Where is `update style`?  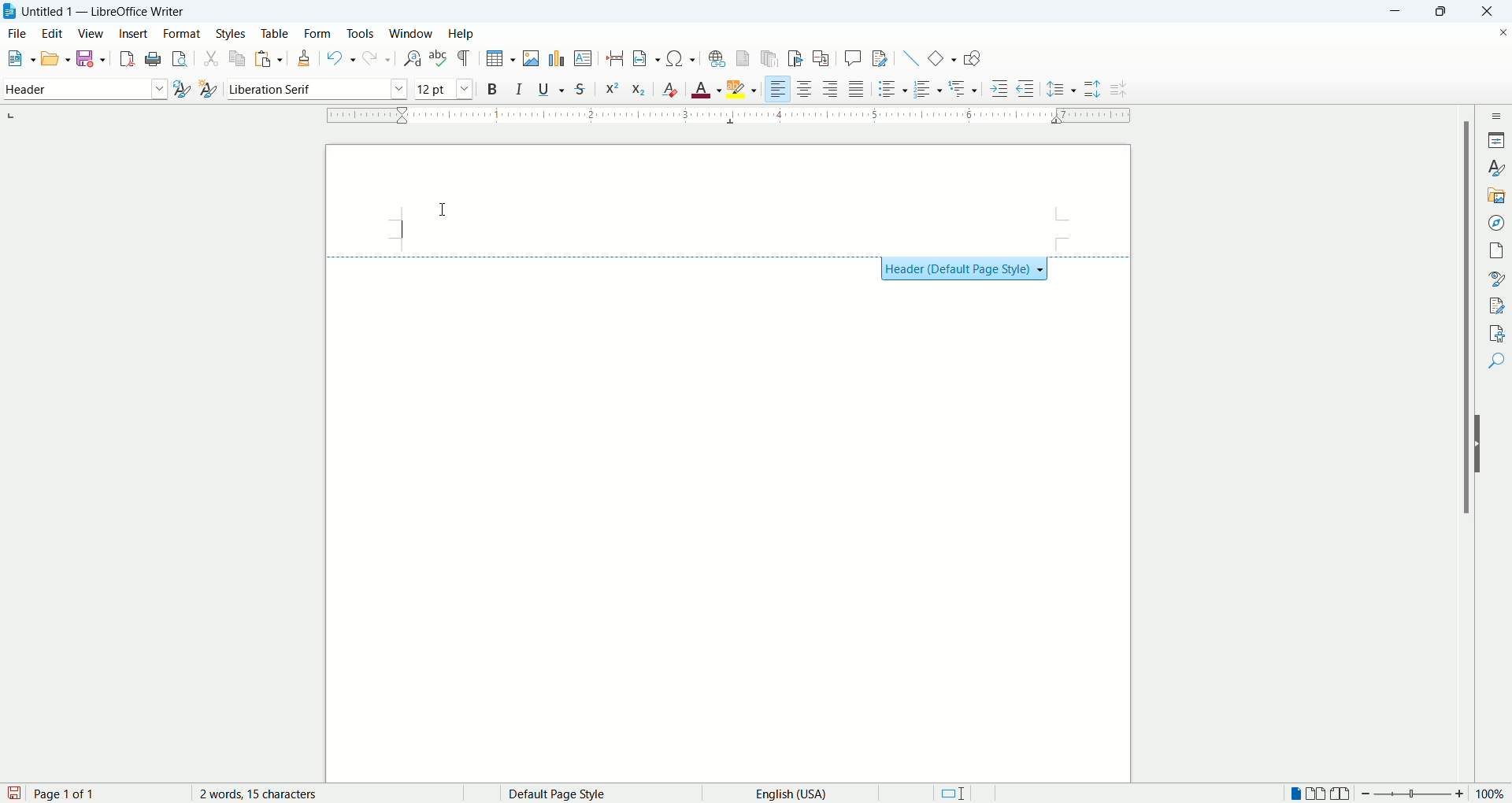
update style is located at coordinates (182, 89).